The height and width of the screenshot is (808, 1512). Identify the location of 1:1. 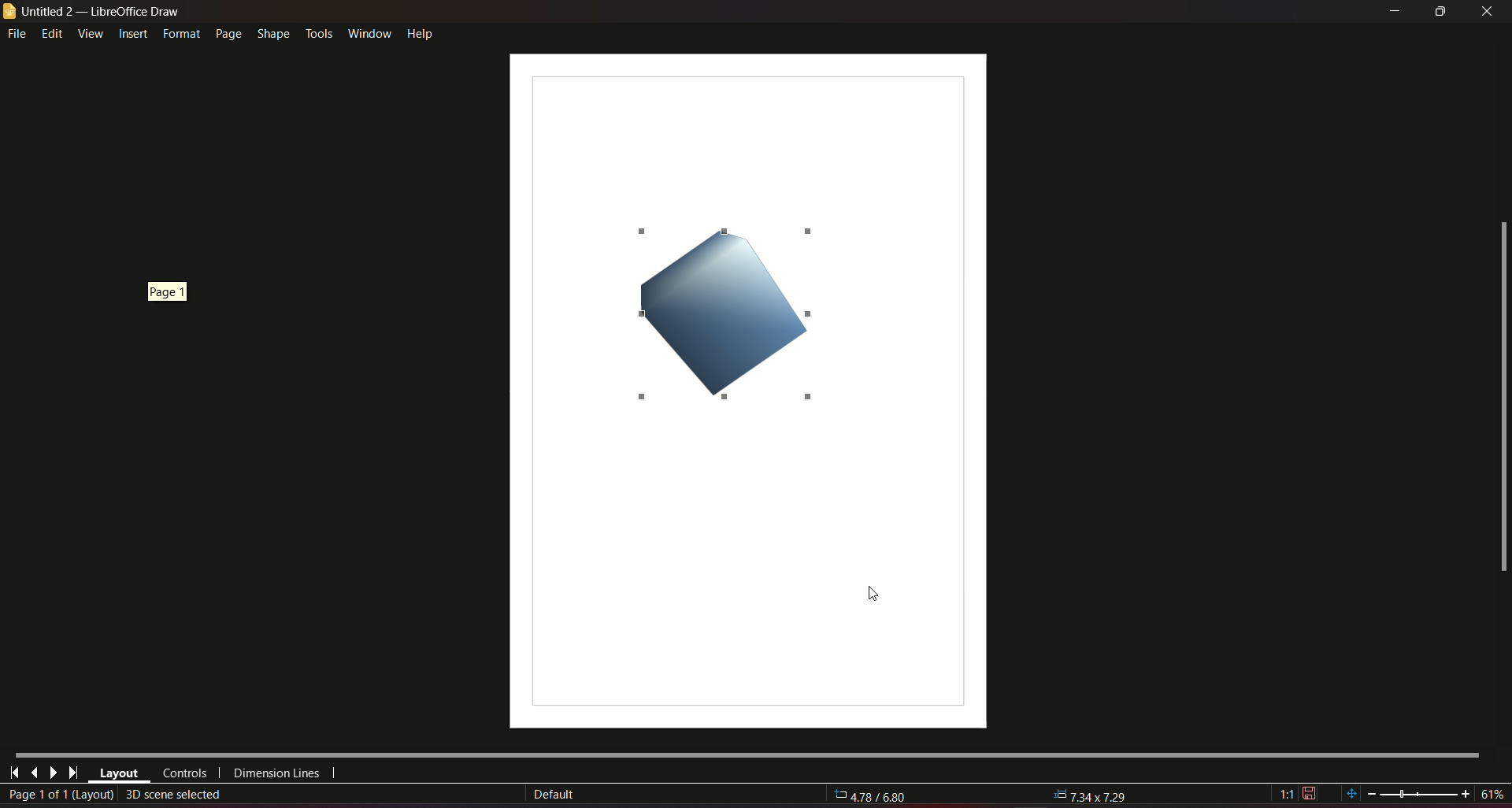
(1298, 794).